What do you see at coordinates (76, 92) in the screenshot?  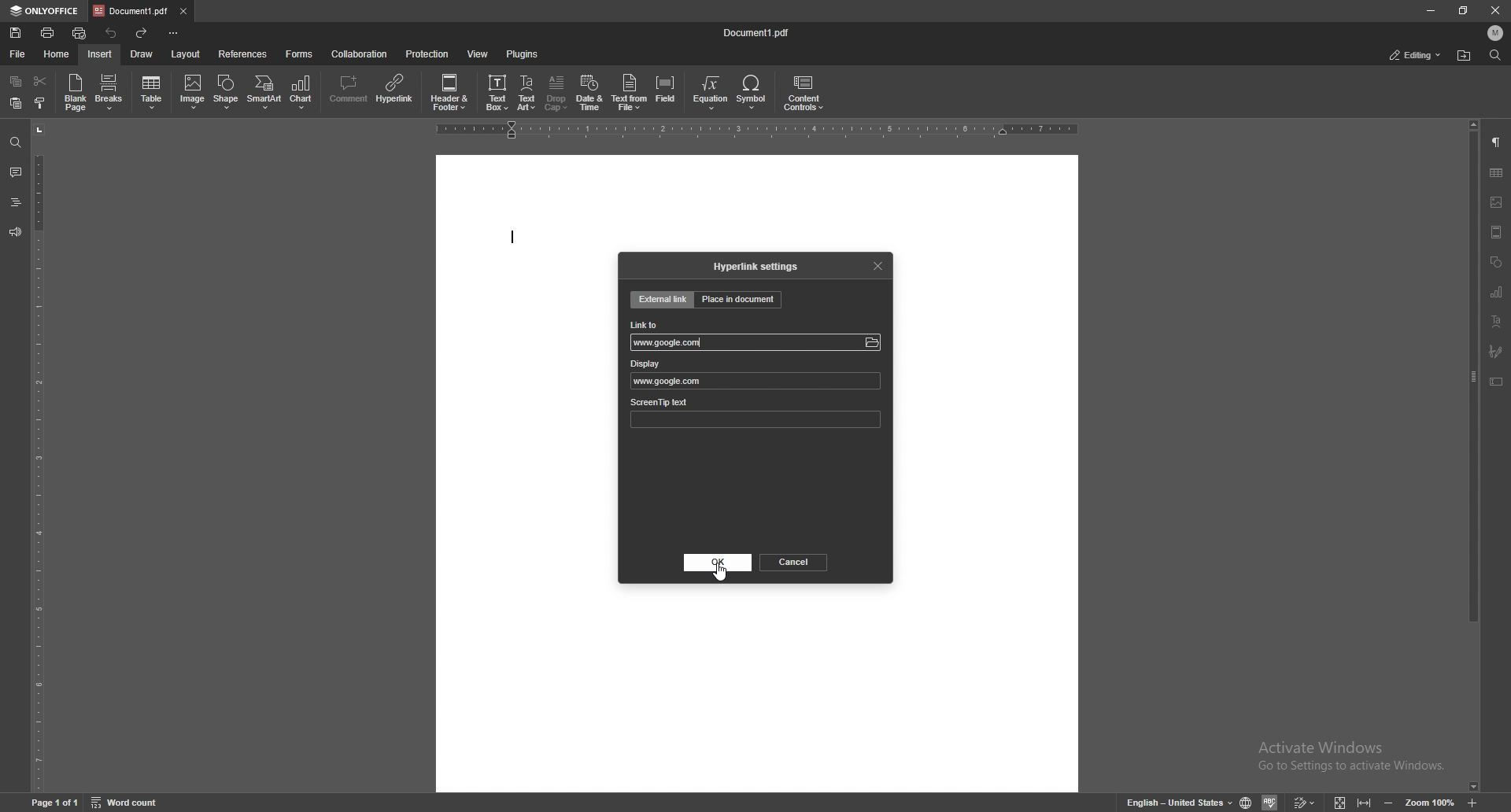 I see `blank page` at bounding box center [76, 92].